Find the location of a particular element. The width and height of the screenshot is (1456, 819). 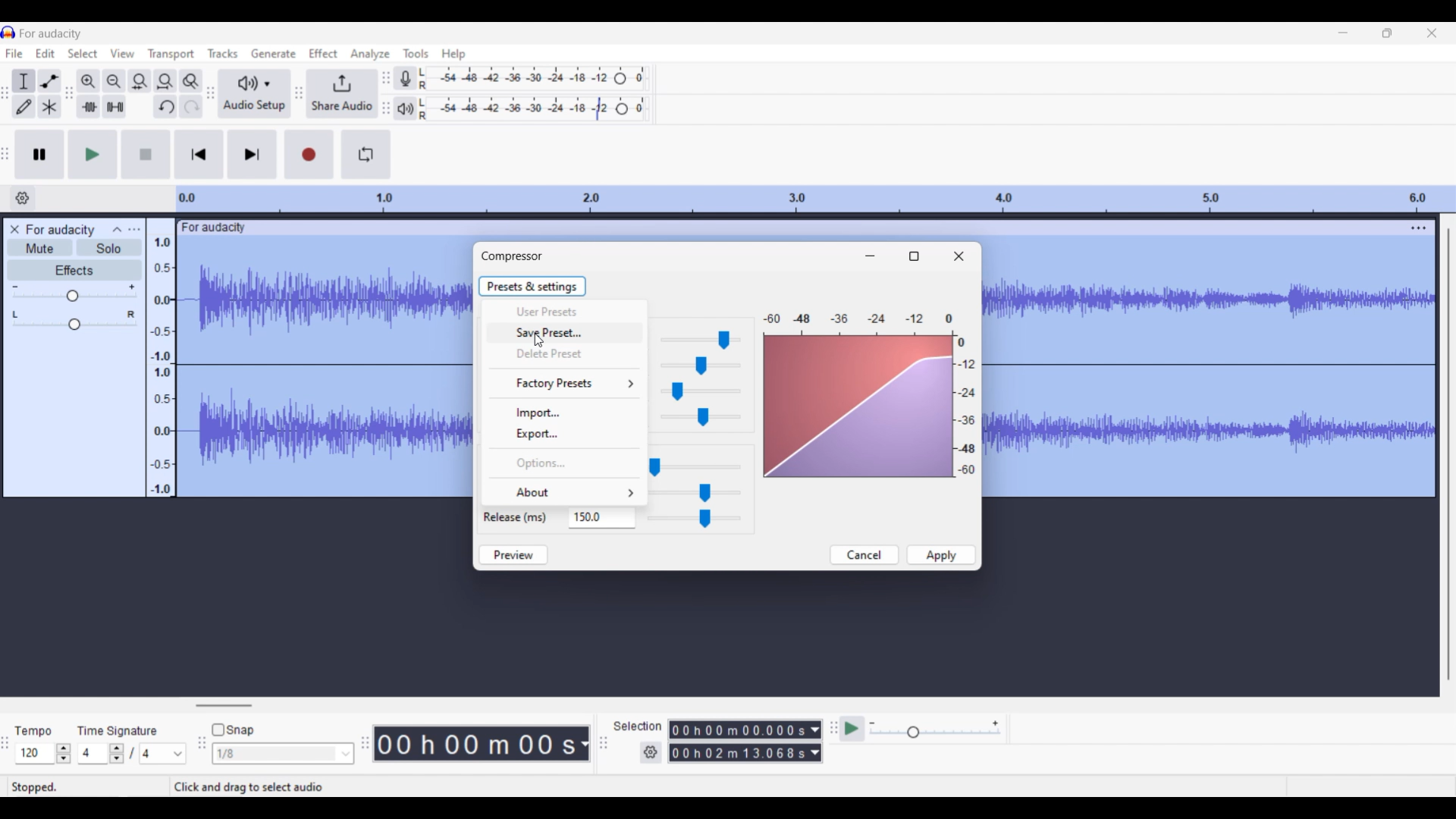

Current track is located at coordinates (325, 369).